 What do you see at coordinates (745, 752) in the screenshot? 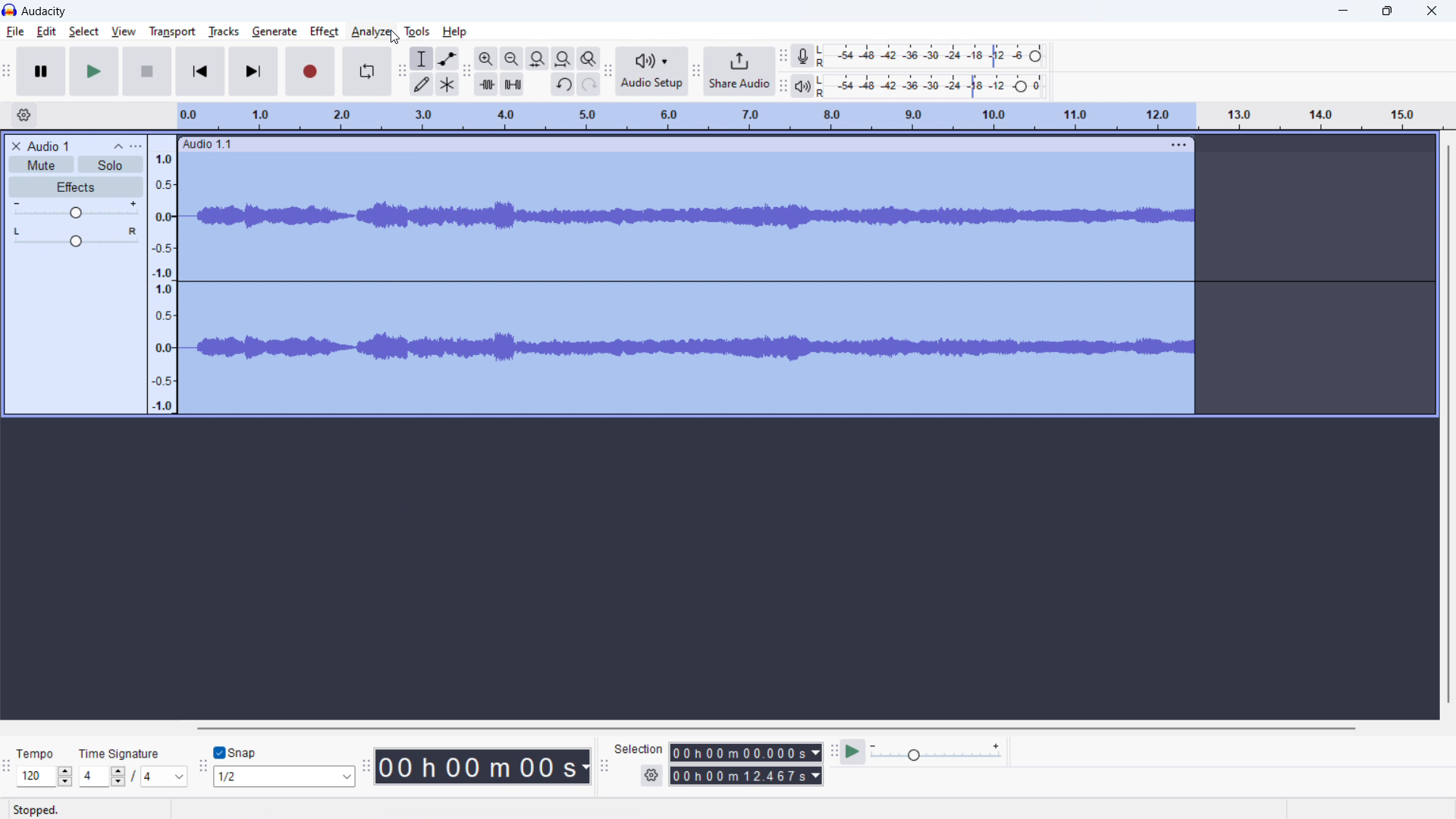
I see `start time` at bounding box center [745, 752].